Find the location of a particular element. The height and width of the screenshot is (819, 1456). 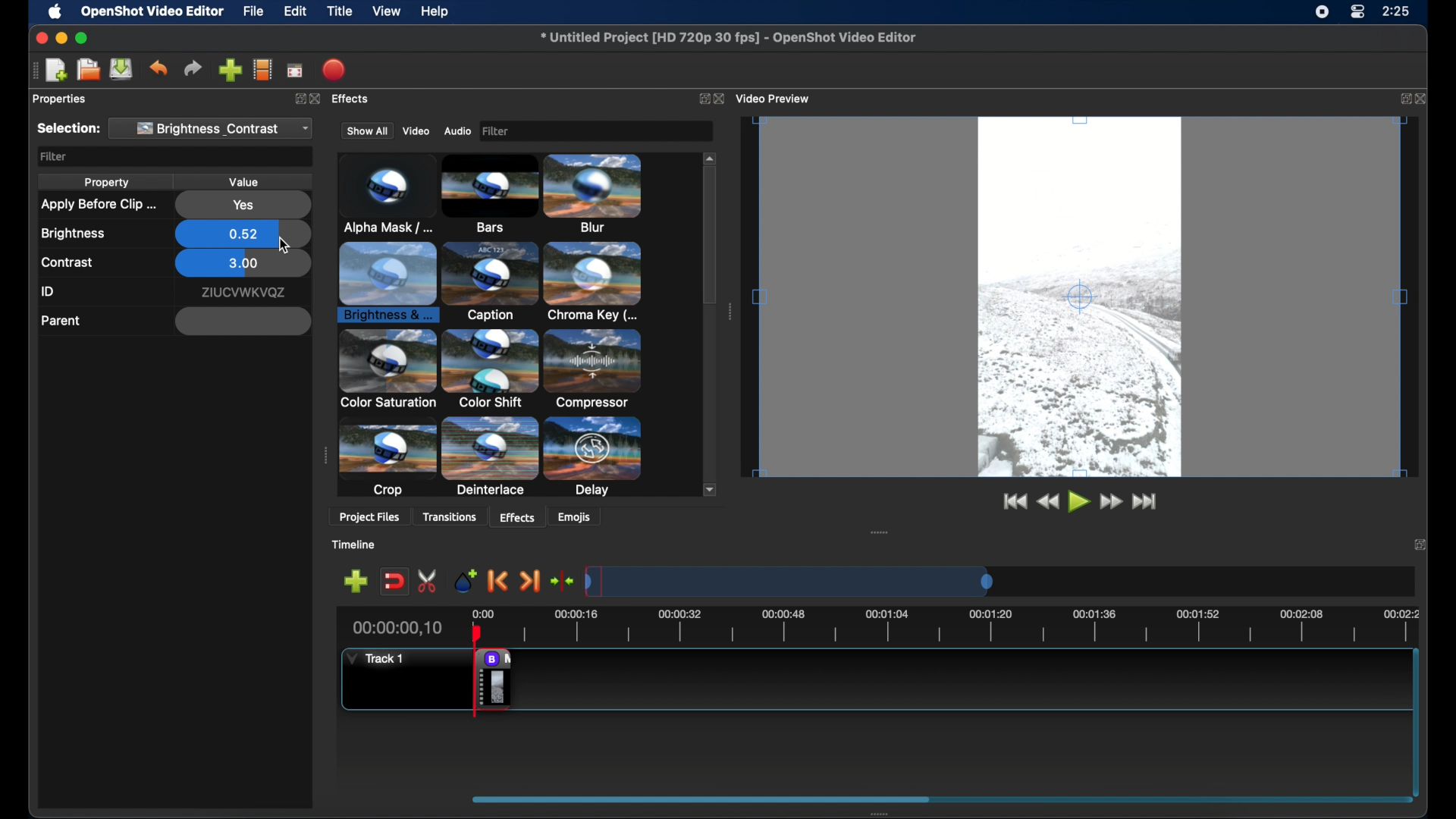

center playhead on the timeline is located at coordinates (563, 580).